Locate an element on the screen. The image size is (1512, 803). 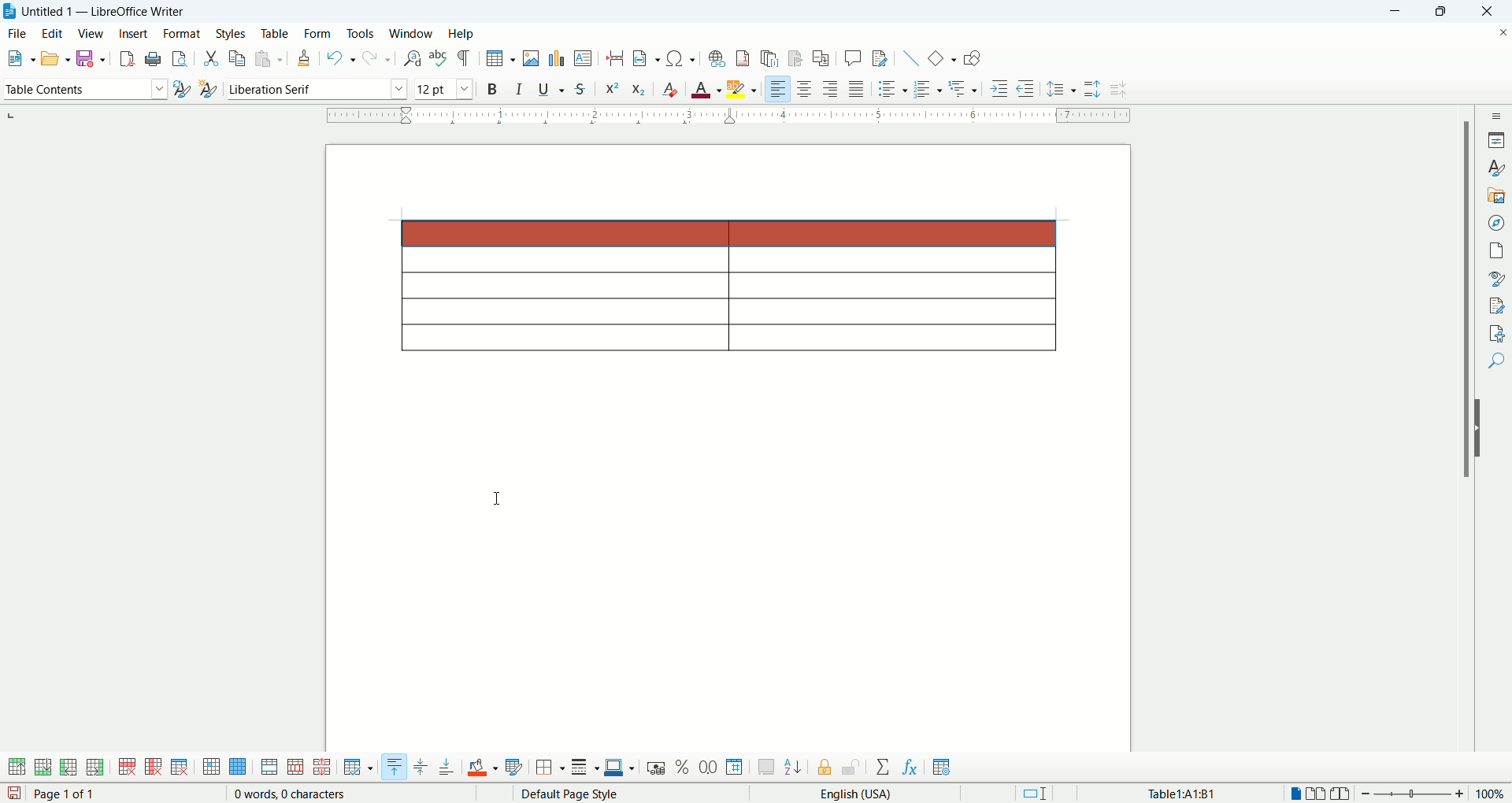
insert text box is located at coordinates (584, 57).